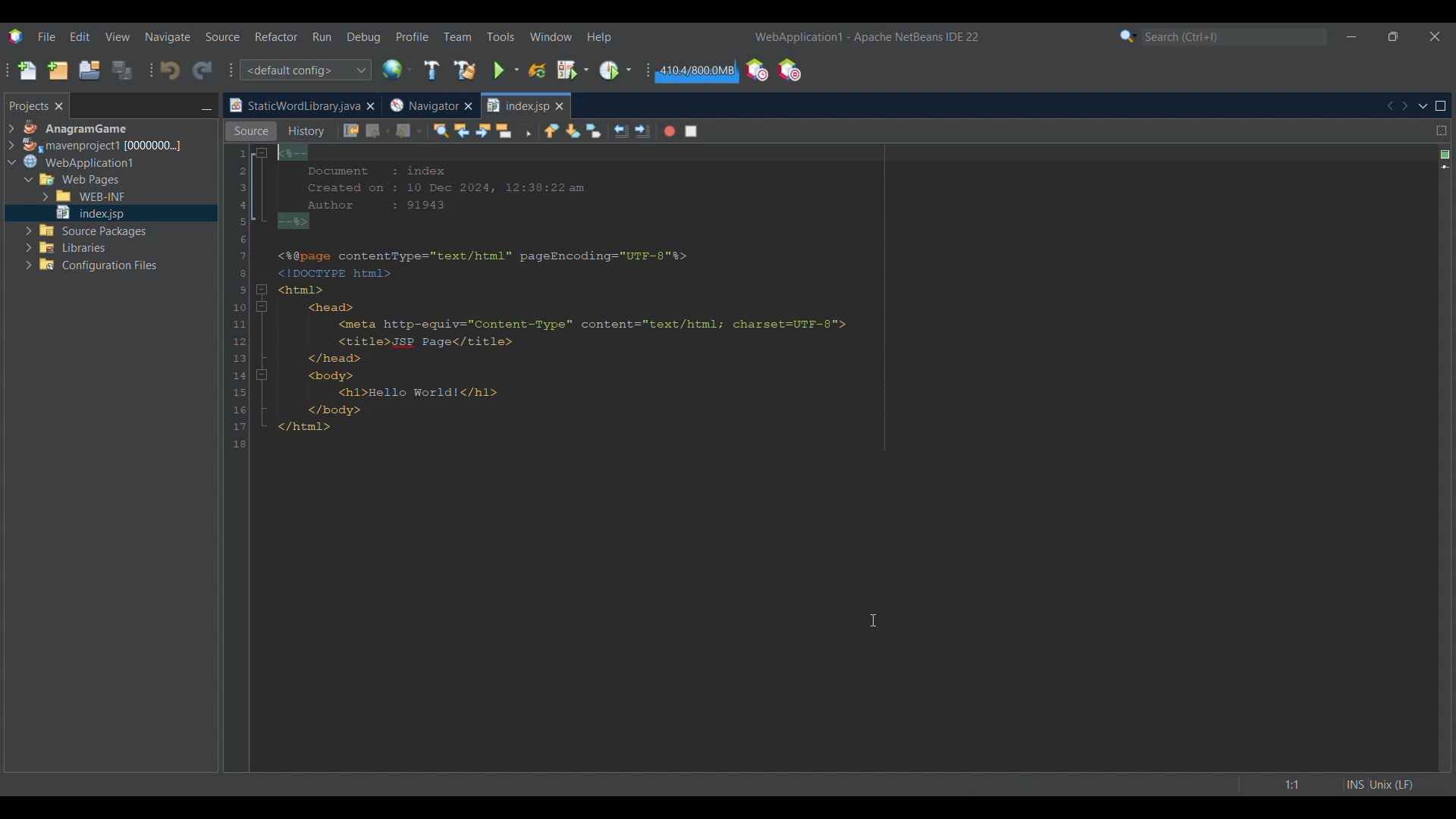 The image size is (1456, 819). What do you see at coordinates (59, 106) in the screenshot?
I see `Close tab` at bounding box center [59, 106].